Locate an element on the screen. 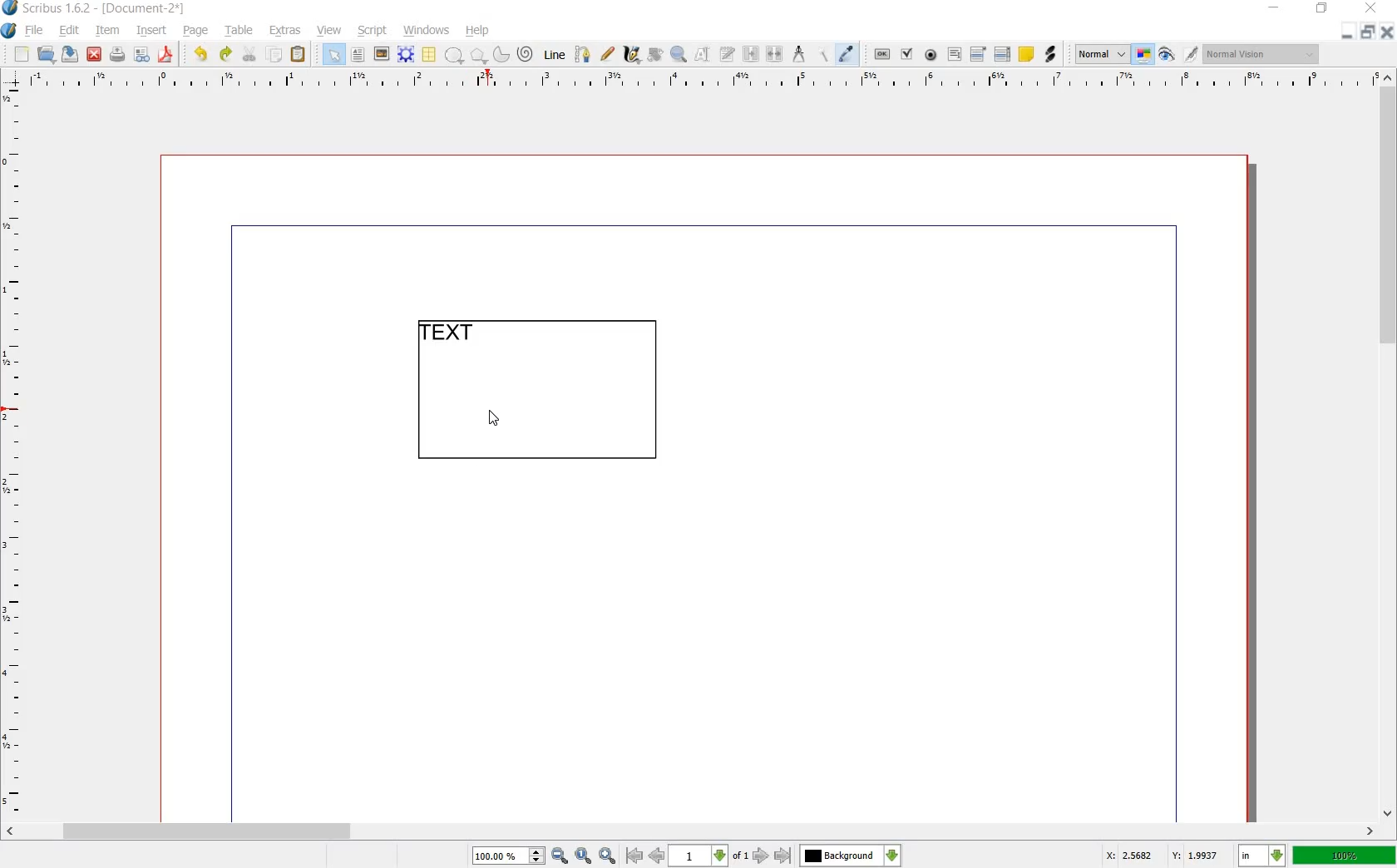  Increase or decrease zoom value is located at coordinates (537, 856).